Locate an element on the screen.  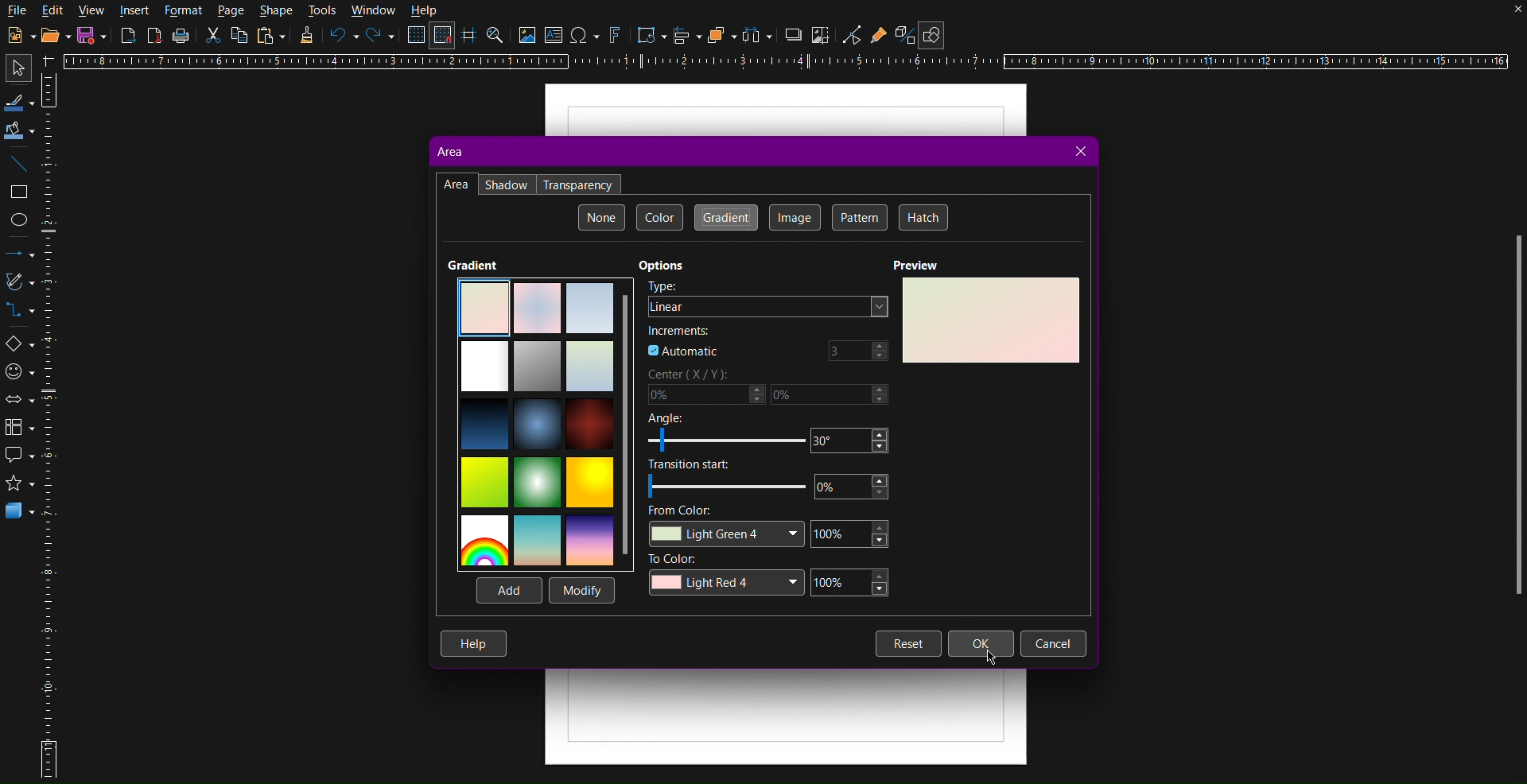
Block Arrows is located at coordinates (19, 400).